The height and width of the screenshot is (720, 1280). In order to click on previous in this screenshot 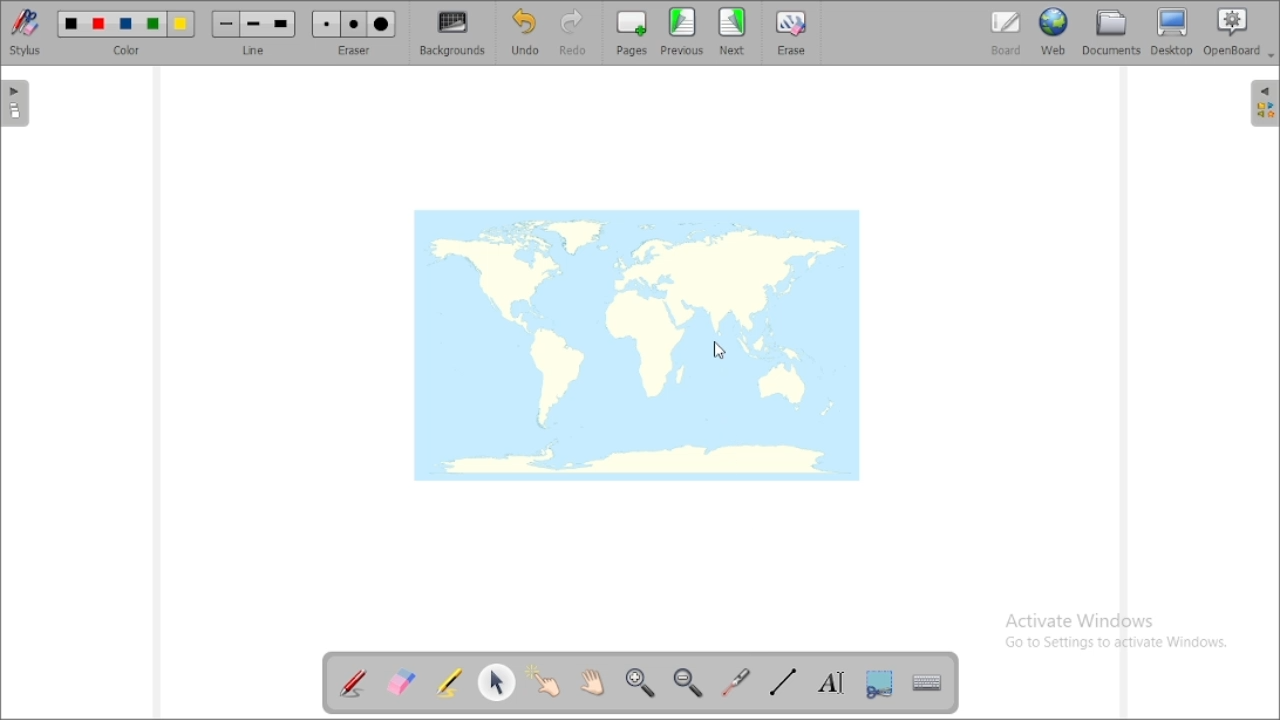, I will do `click(682, 31)`.